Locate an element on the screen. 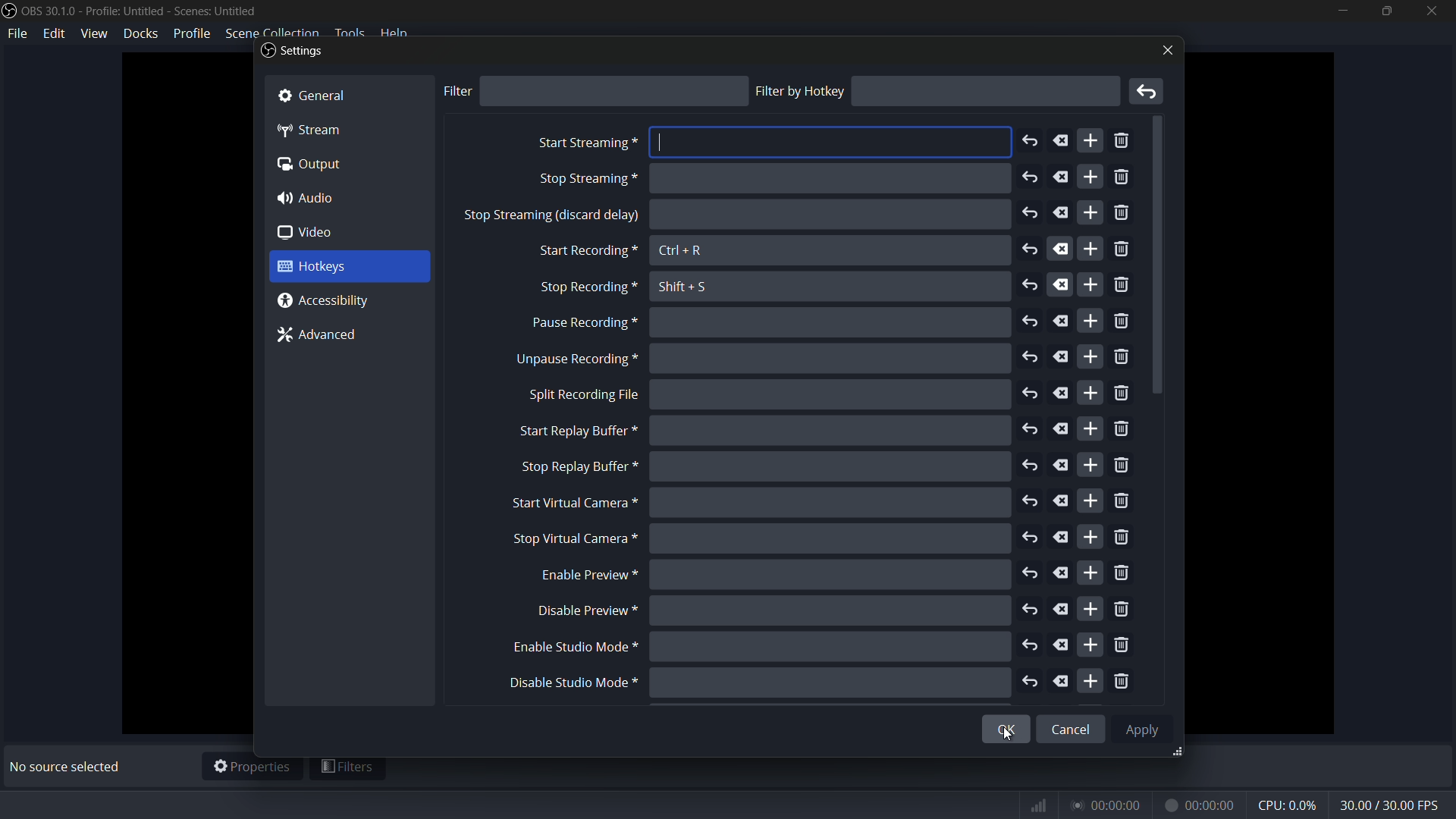 This screenshot has width=1456, height=819. edit menu is located at coordinates (56, 33).